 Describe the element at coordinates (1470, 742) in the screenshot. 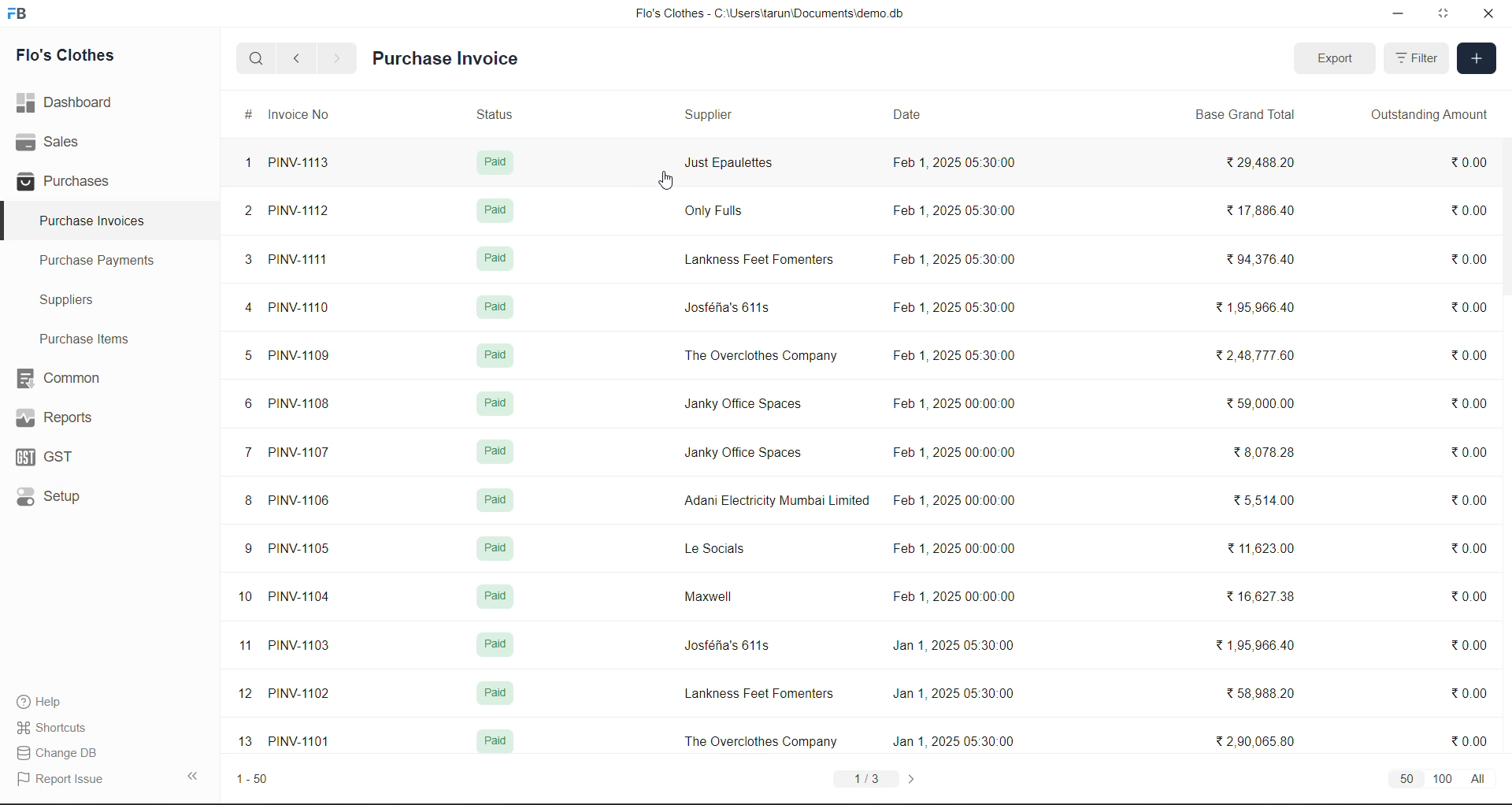

I see `₹0.00` at that location.